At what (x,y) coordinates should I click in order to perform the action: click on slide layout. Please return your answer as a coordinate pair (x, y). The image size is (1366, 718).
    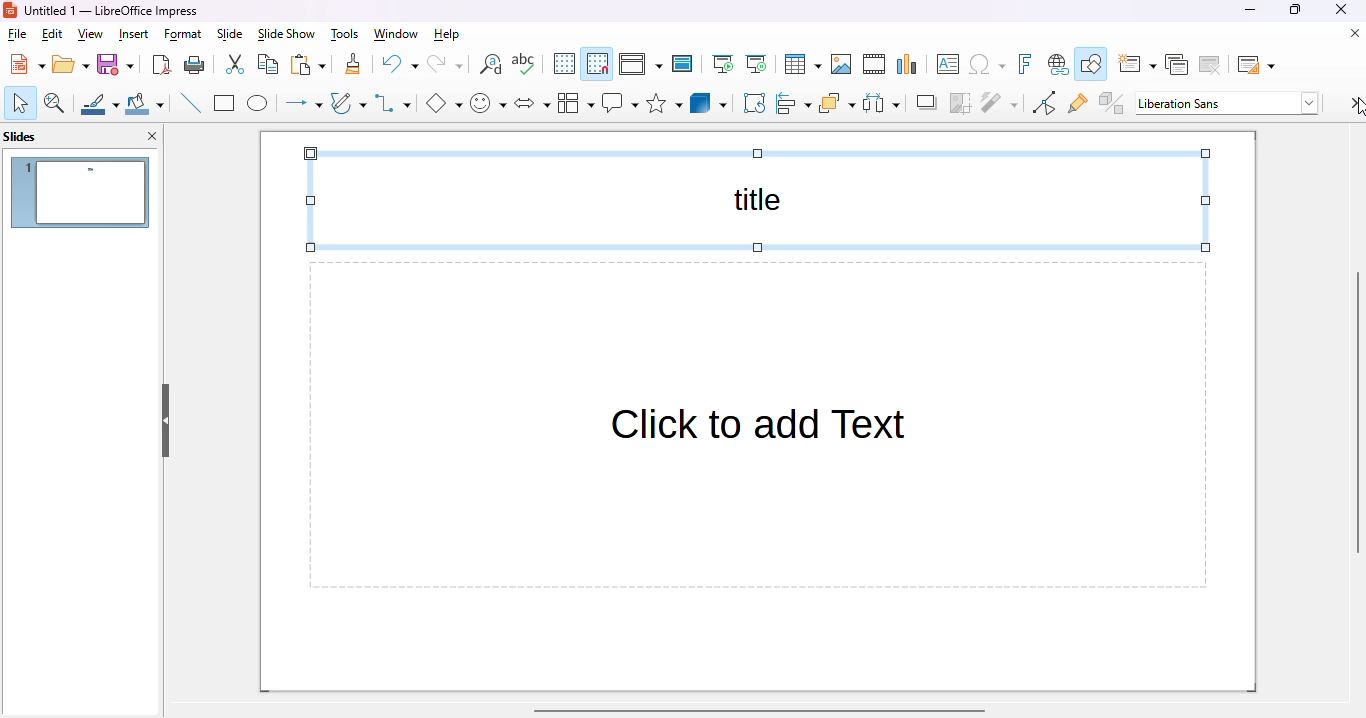
    Looking at the image, I should click on (1256, 65).